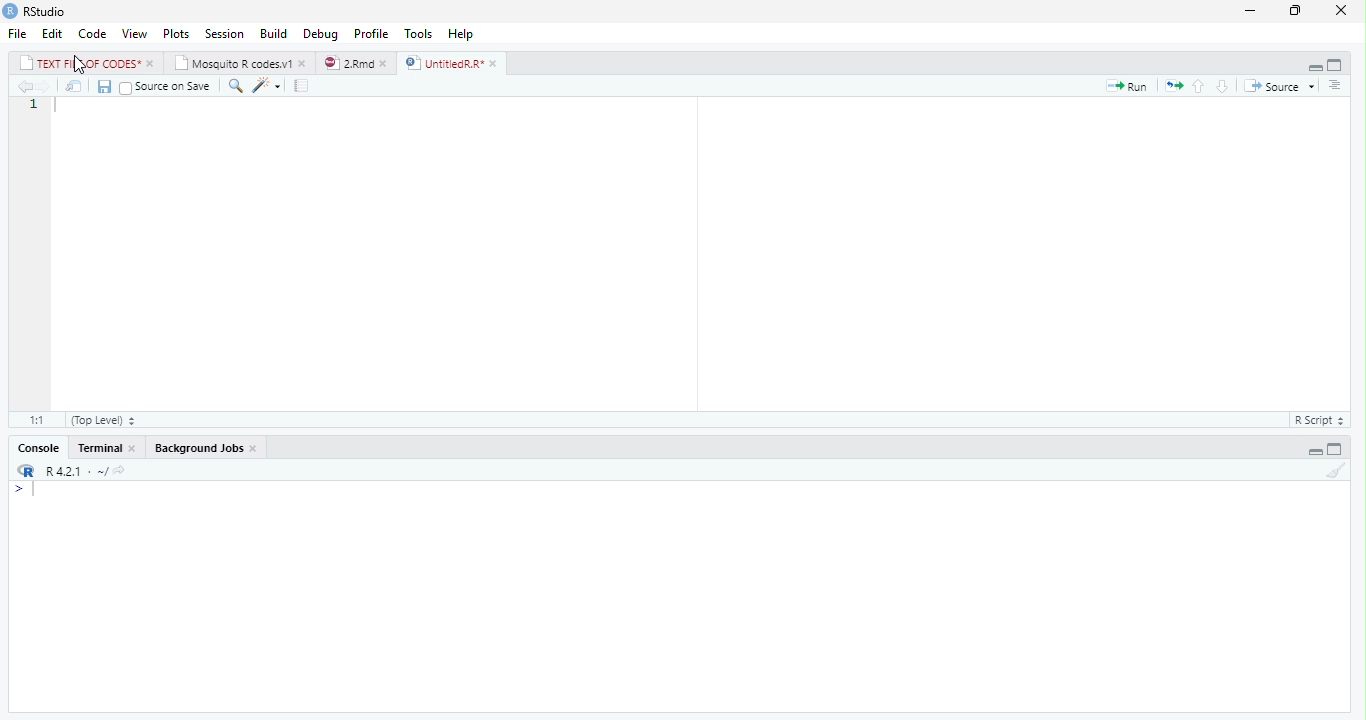  What do you see at coordinates (1338, 472) in the screenshot?
I see `Clear` at bounding box center [1338, 472].